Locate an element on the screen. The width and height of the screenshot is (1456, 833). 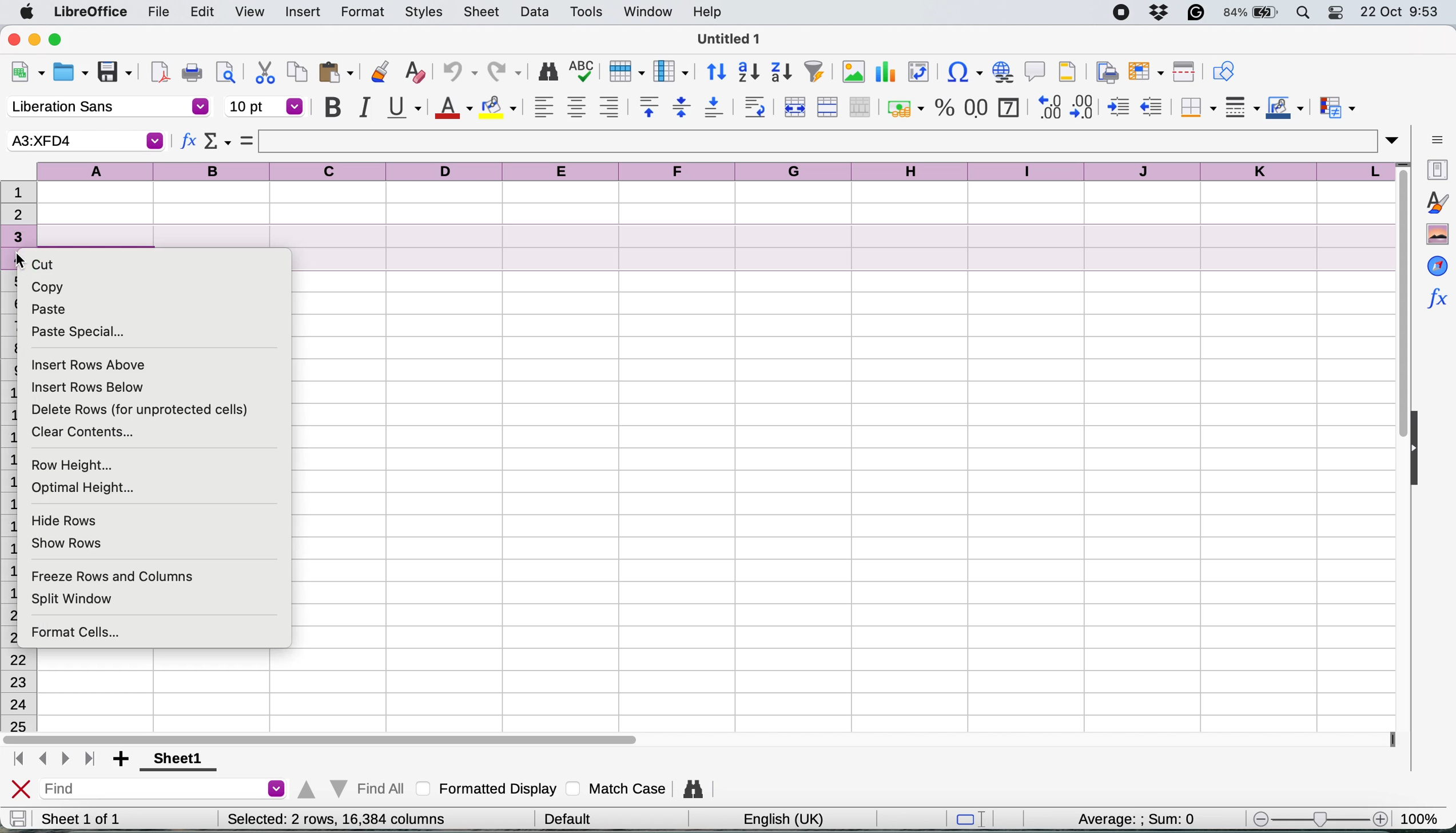
paste is located at coordinates (49, 310).